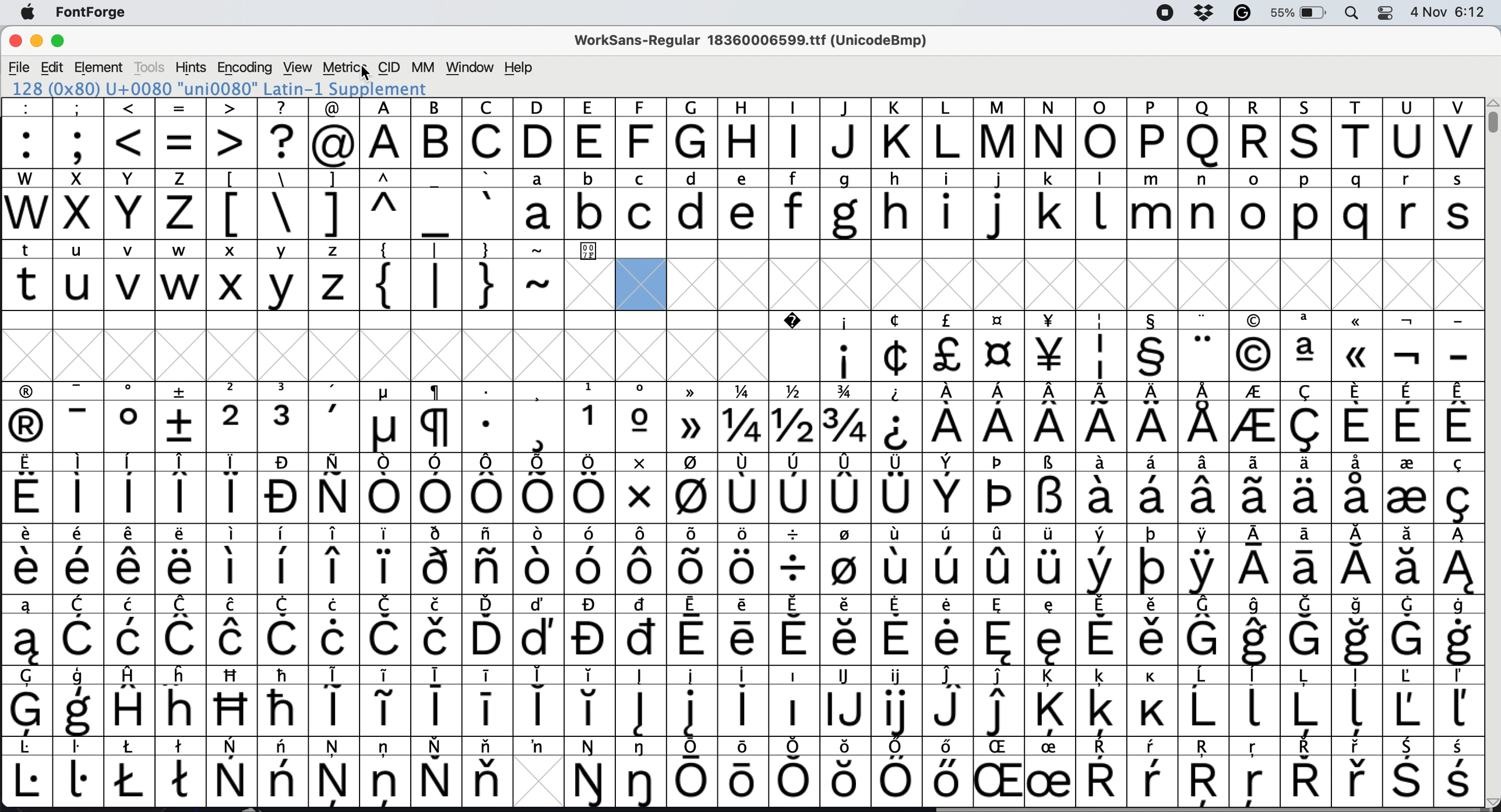 The height and width of the screenshot is (812, 1501). Describe the element at coordinates (434, 282) in the screenshot. I see `special characters` at that location.